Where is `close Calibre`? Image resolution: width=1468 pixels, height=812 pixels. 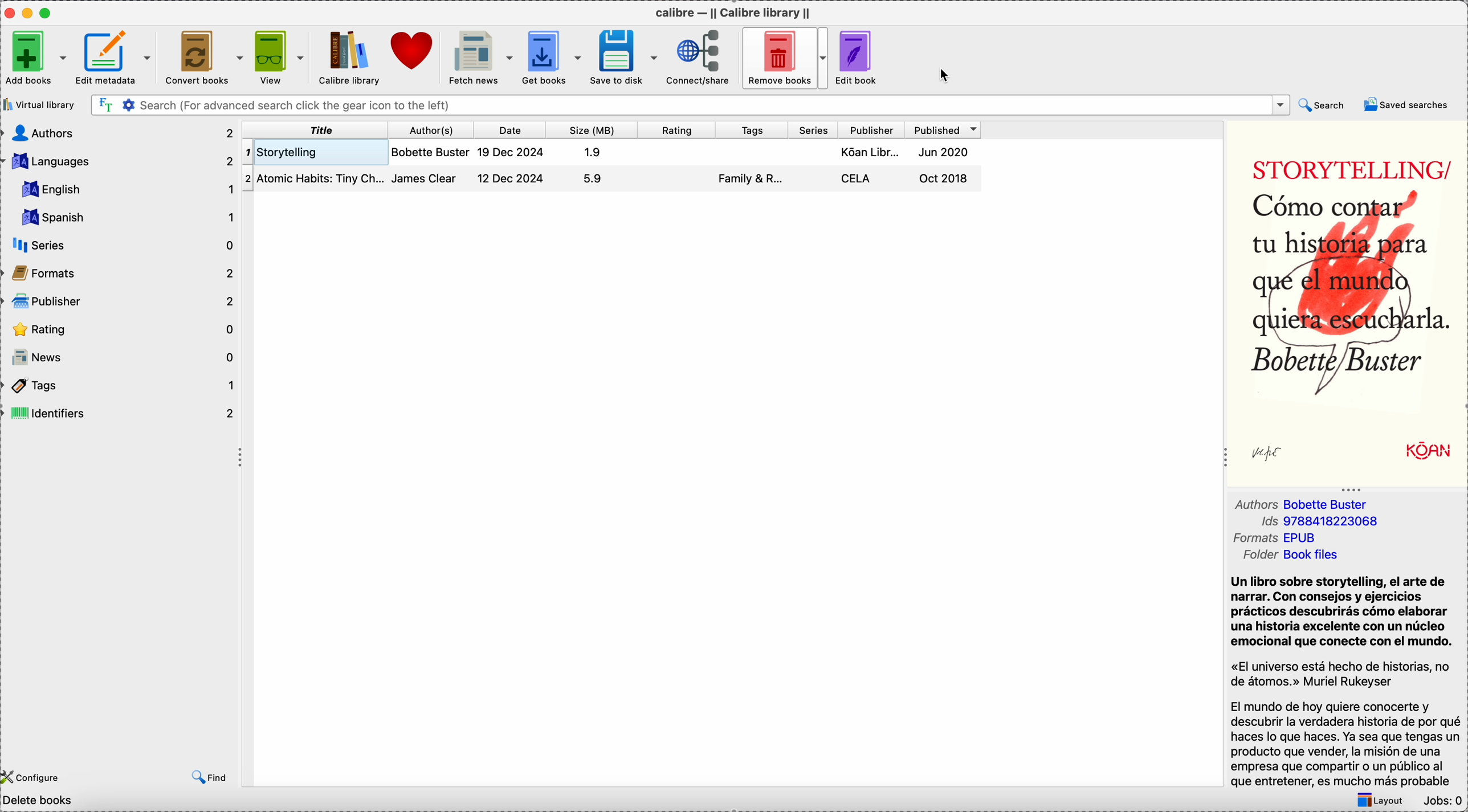 close Calibre is located at coordinates (10, 11).